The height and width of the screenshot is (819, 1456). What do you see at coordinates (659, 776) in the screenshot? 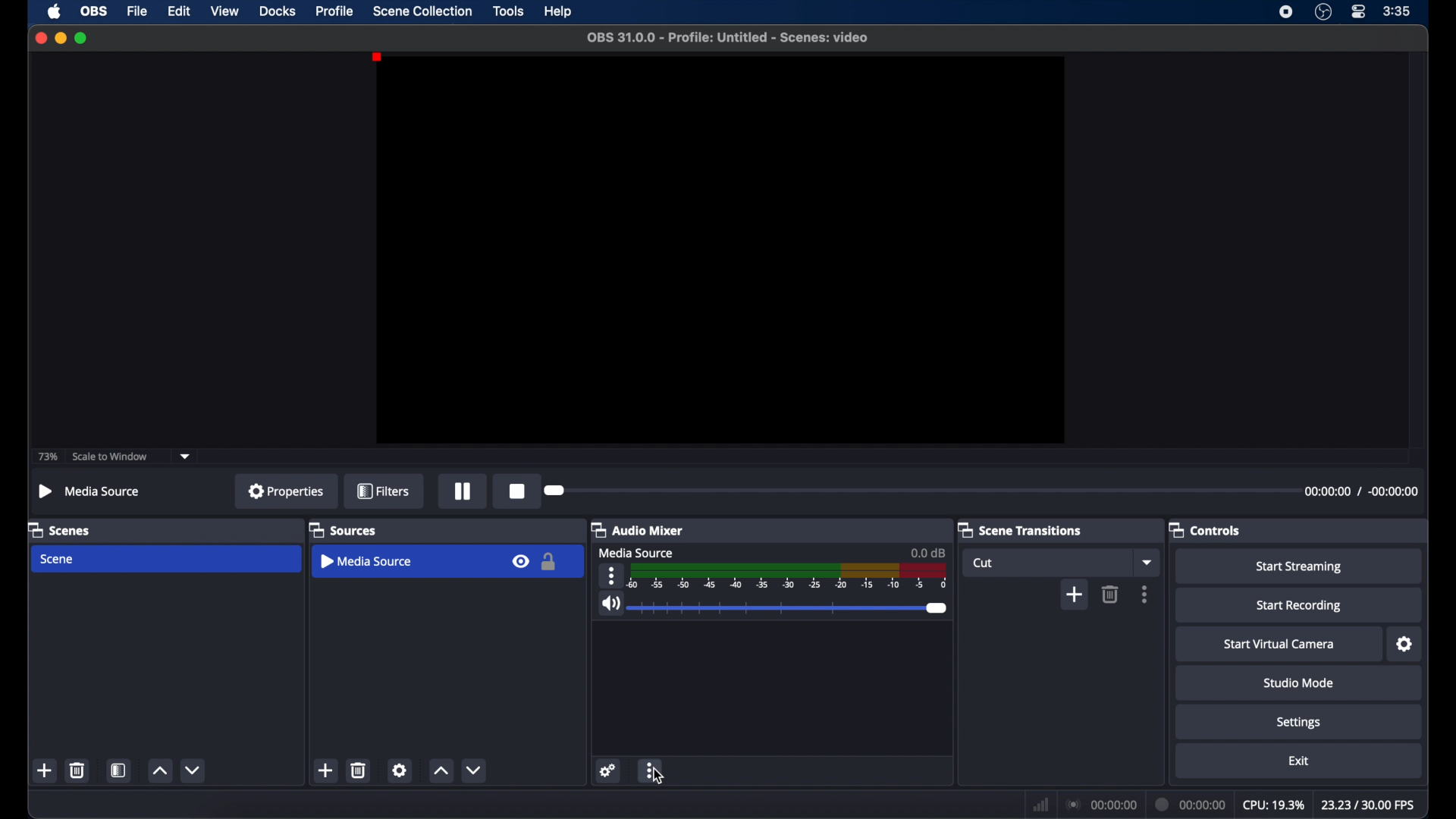
I see `cursor` at bounding box center [659, 776].